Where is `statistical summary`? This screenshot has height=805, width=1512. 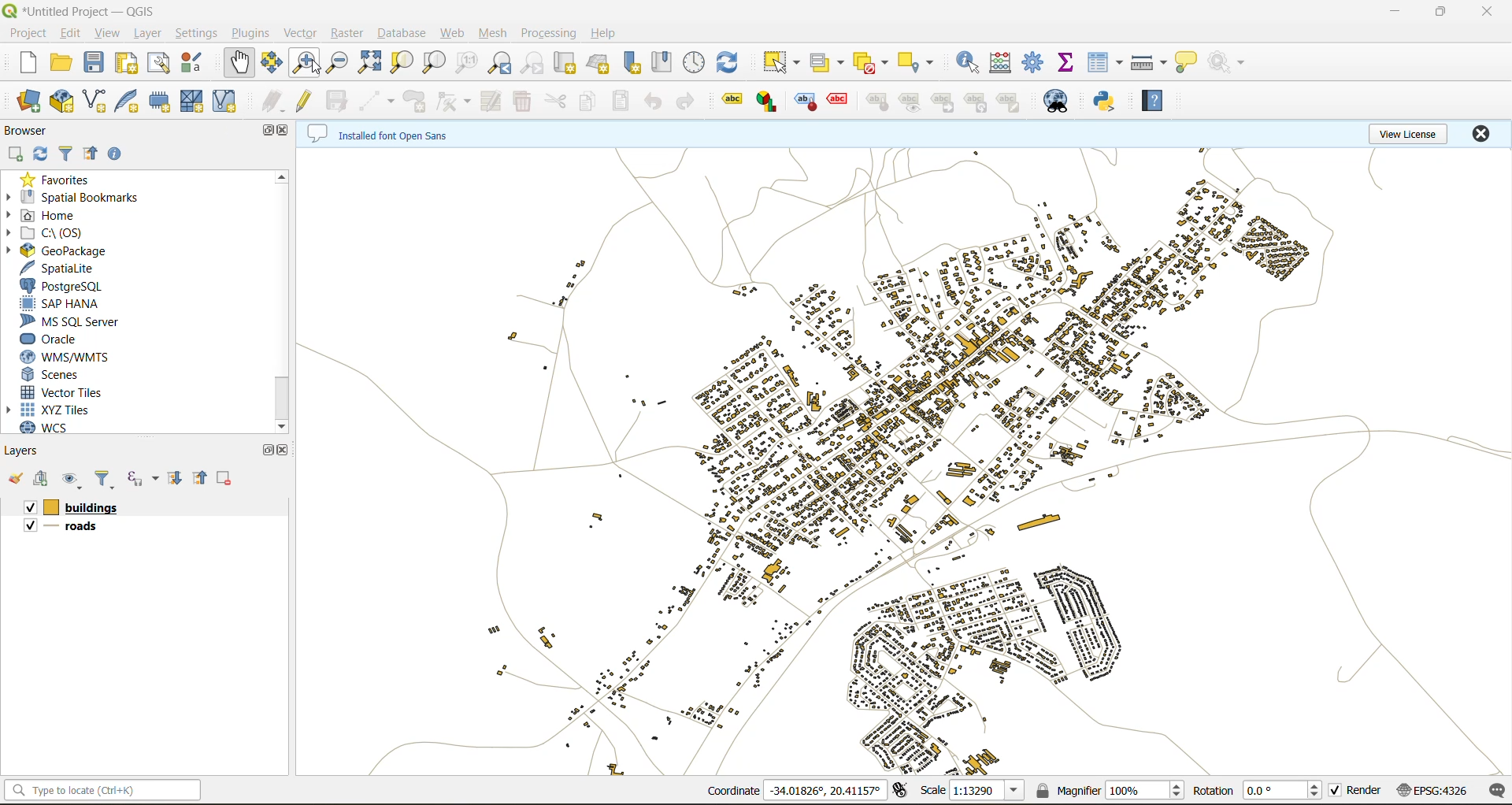 statistical summary is located at coordinates (1070, 65).